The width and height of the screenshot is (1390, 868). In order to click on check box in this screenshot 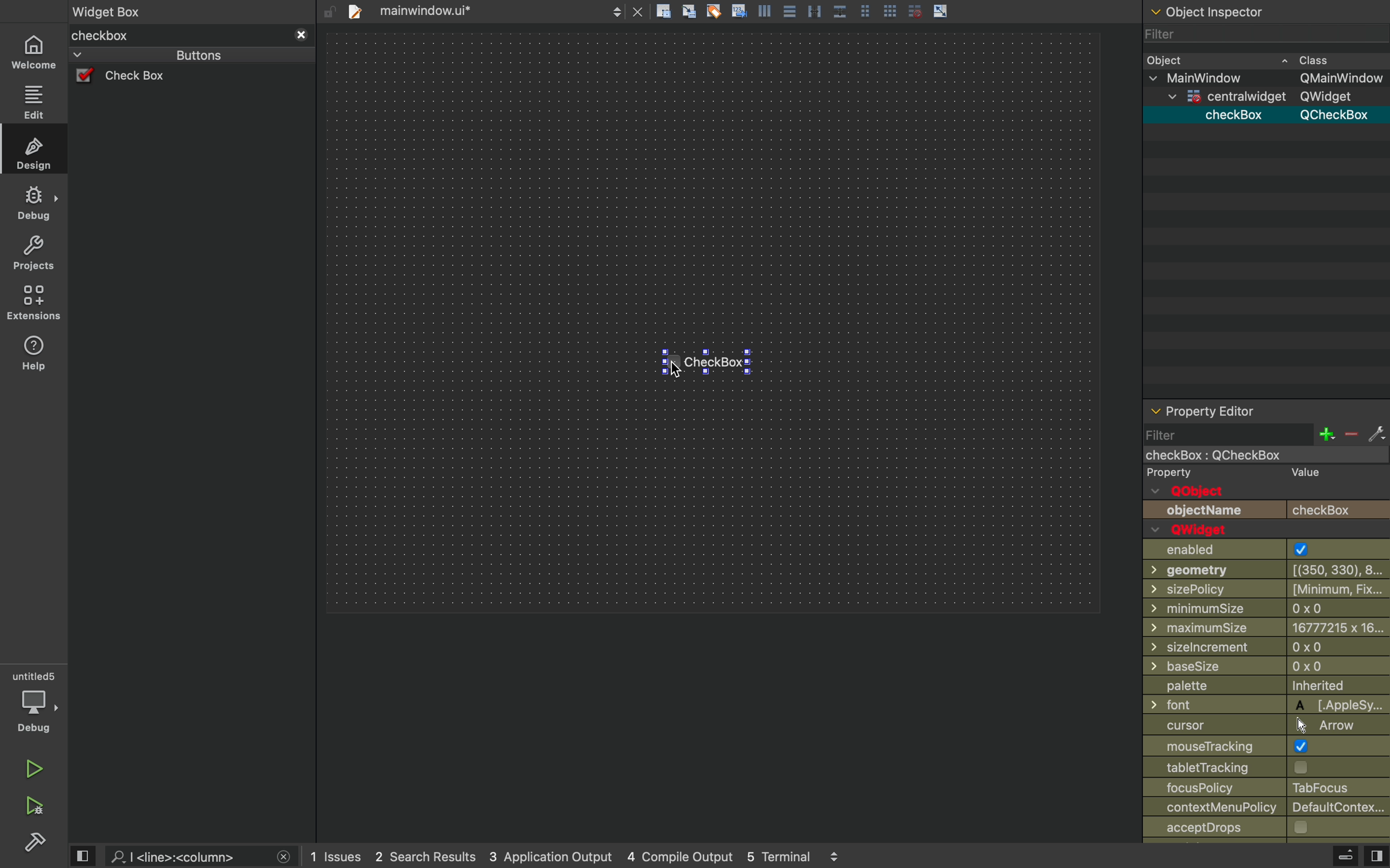, I will do `click(142, 77)`.